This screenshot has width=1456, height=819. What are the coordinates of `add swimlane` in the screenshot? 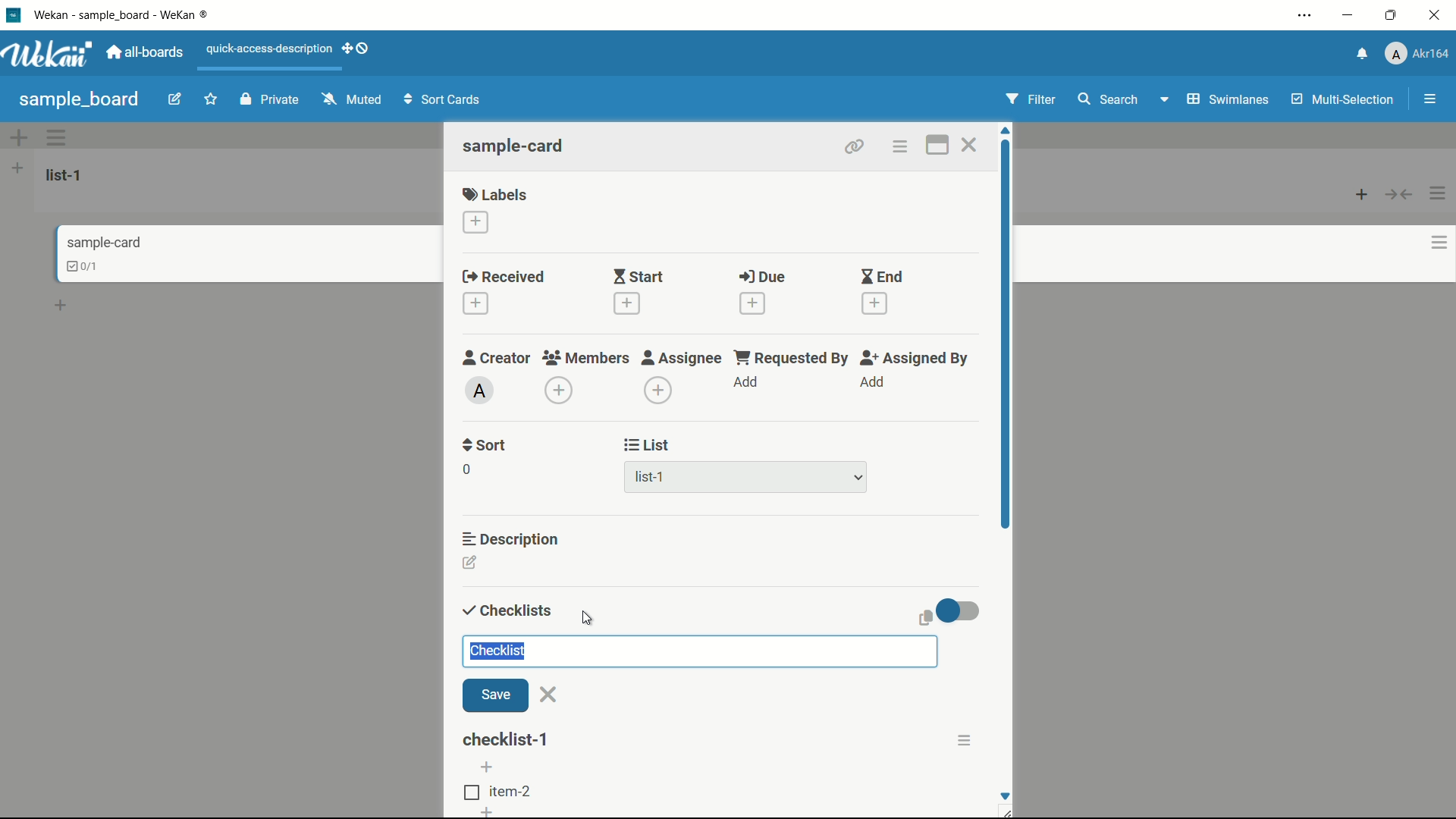 It's located at (17, 137).